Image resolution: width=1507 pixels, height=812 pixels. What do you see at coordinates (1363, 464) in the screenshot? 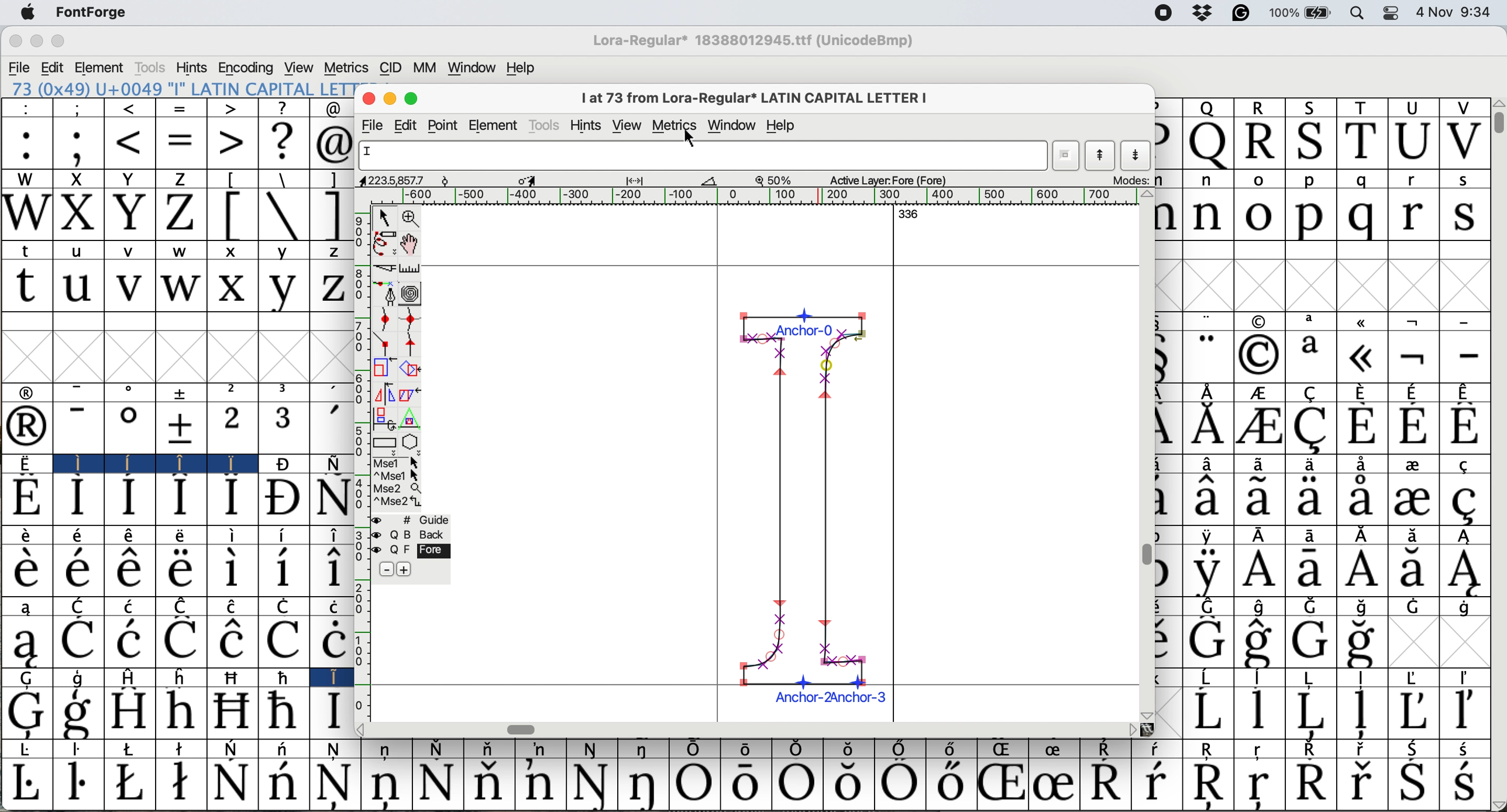
I see `Symbol` at bounding box center [1363, 464].